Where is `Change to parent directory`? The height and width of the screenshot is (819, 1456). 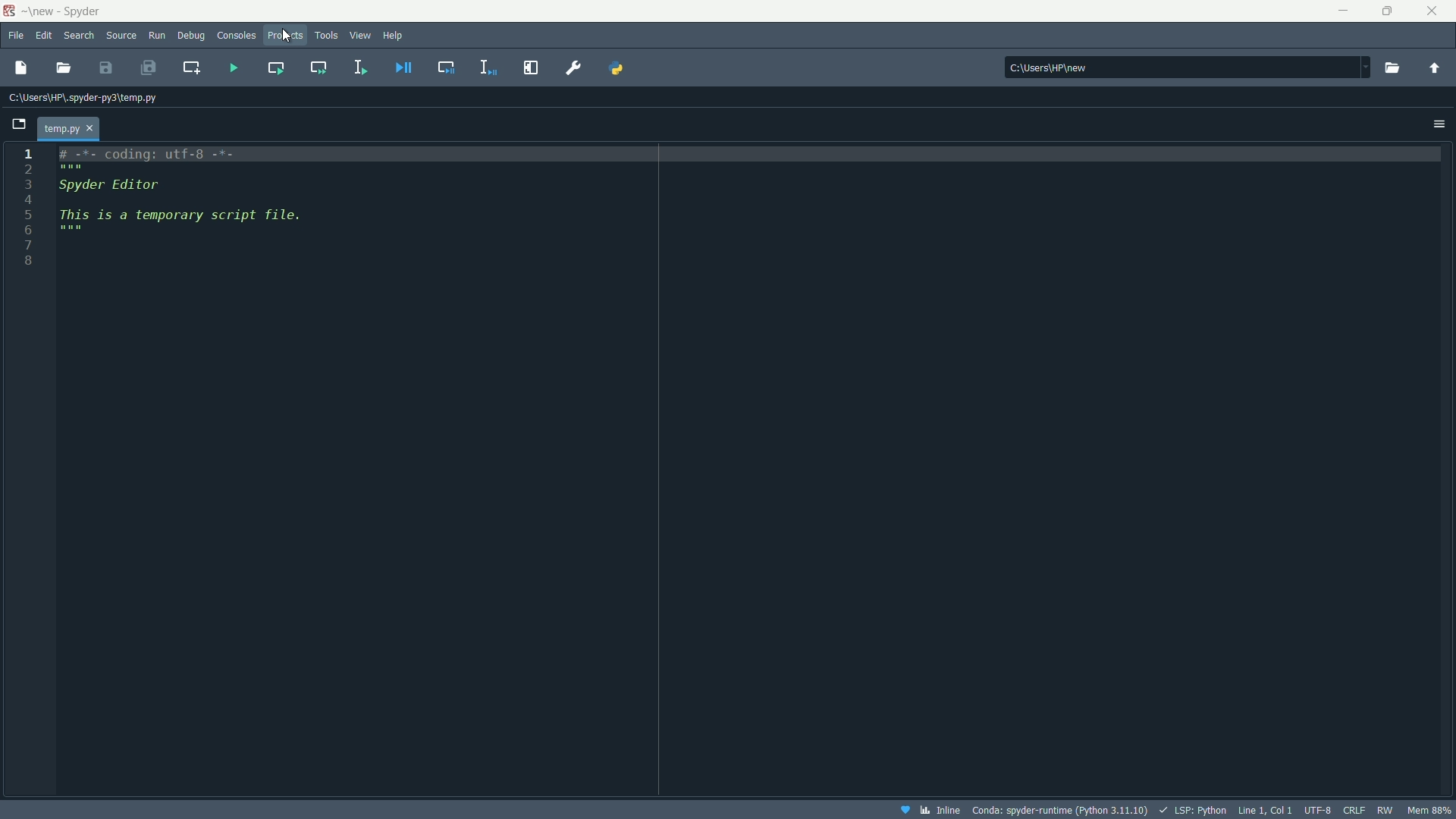
Change to parent directory is located at coordinates (1434, 65).